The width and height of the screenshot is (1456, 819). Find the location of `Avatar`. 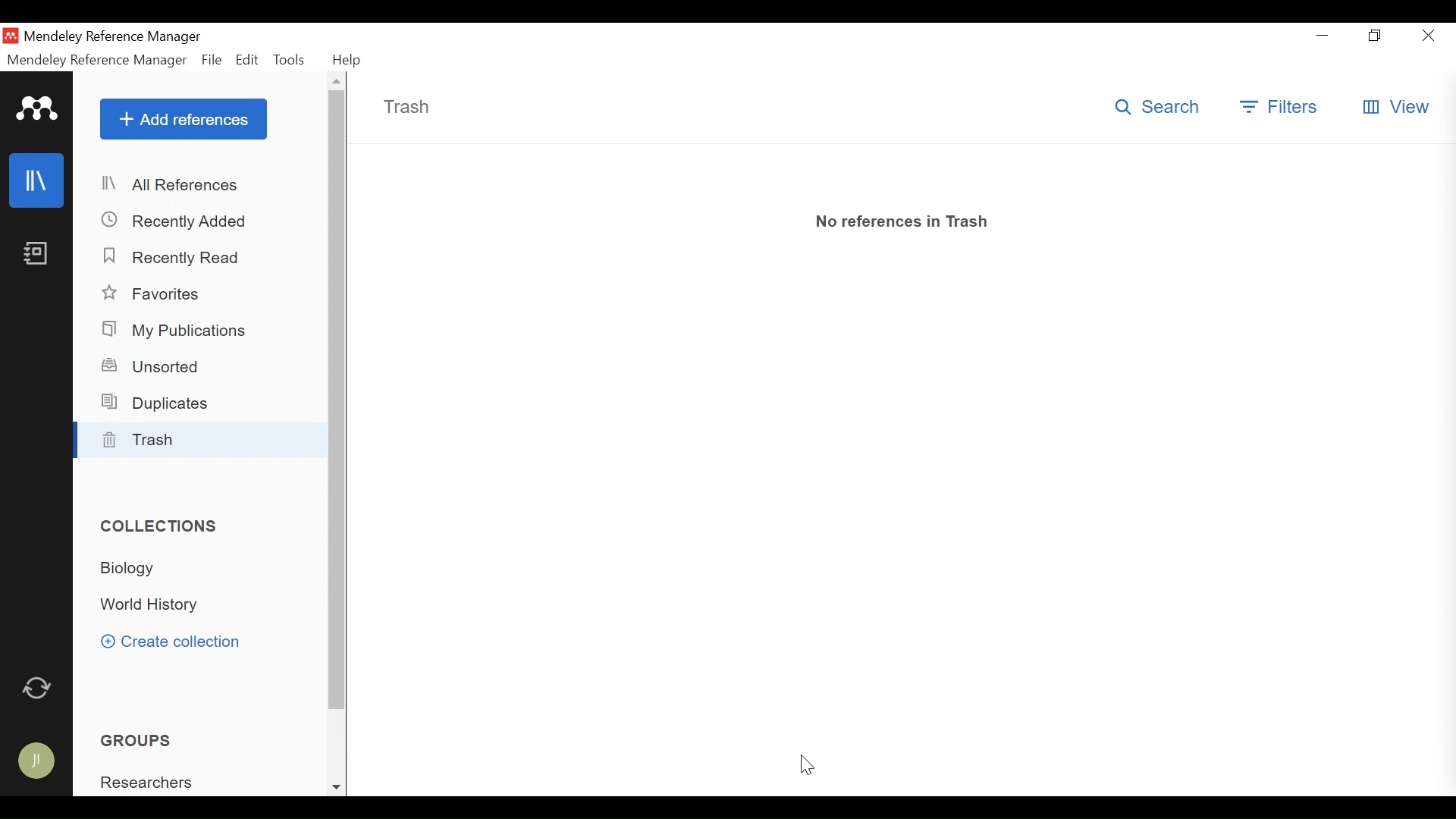

Avatar is located at coordinates (42, 761).